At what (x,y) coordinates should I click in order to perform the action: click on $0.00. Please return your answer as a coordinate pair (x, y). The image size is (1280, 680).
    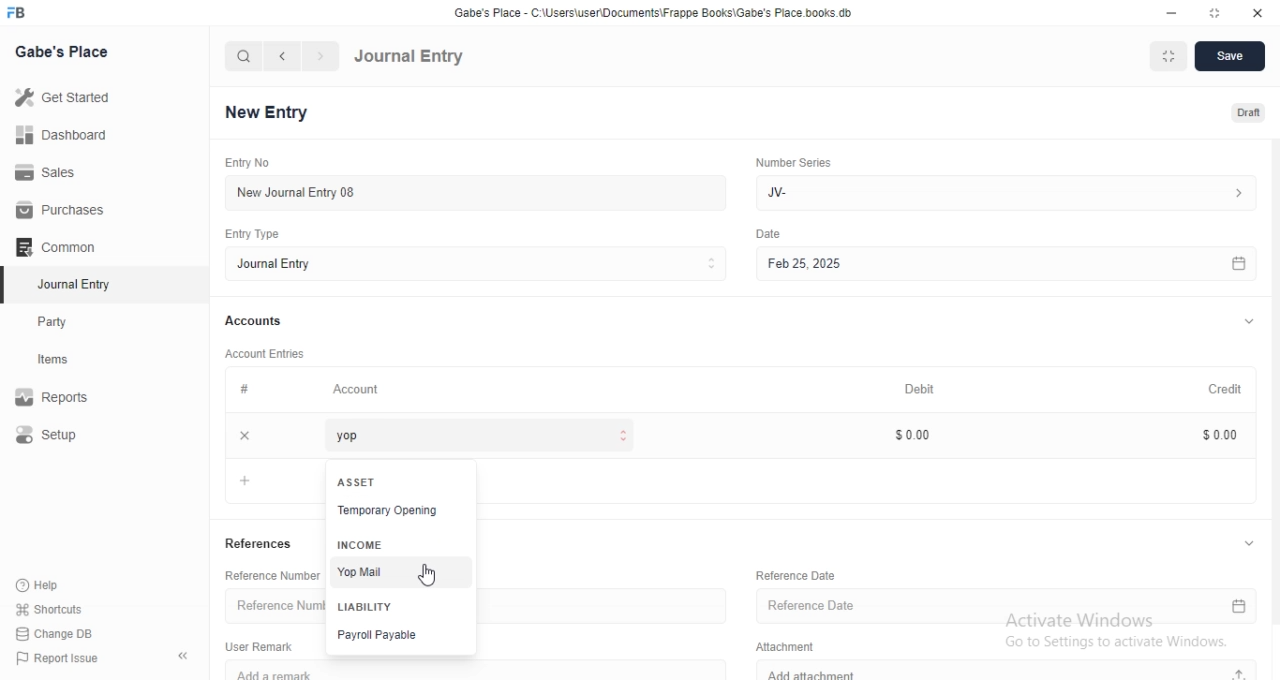
    Looking at the image, I should click on (1210, 434).